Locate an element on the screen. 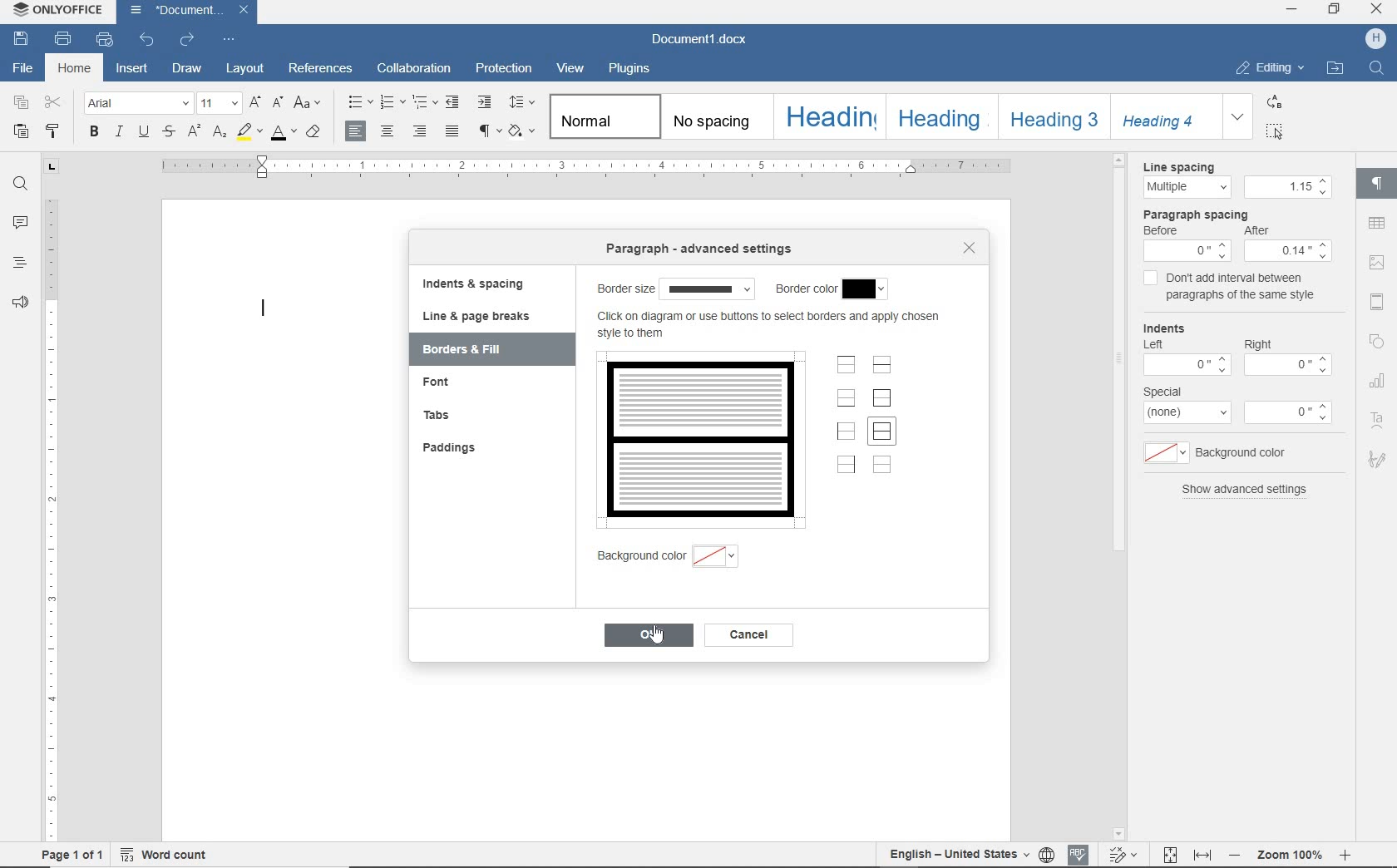  feedback & support is located at coordinates (17, 301).